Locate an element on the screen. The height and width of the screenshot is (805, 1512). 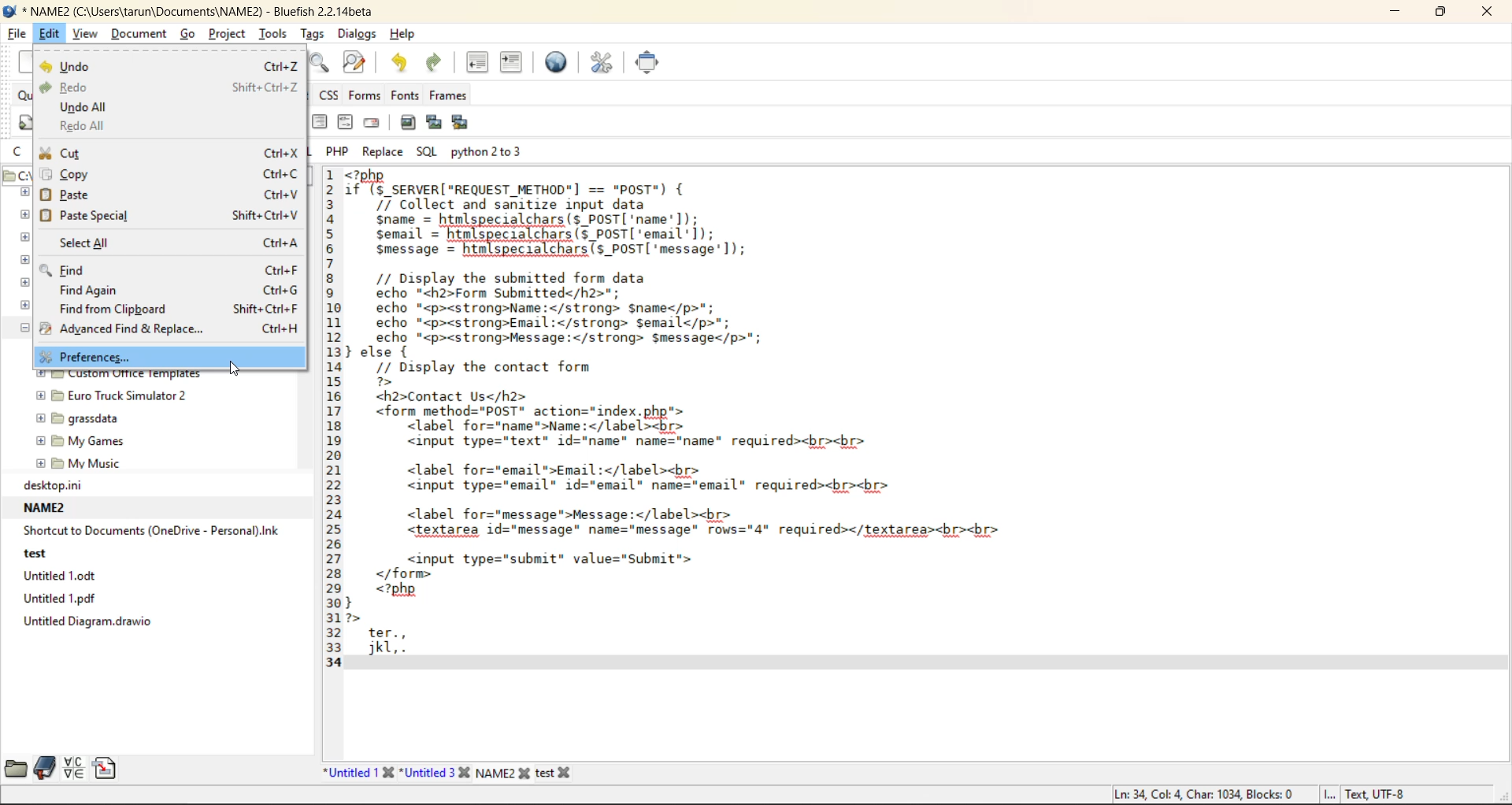
edit preferences is located at coordinates (599, 65).